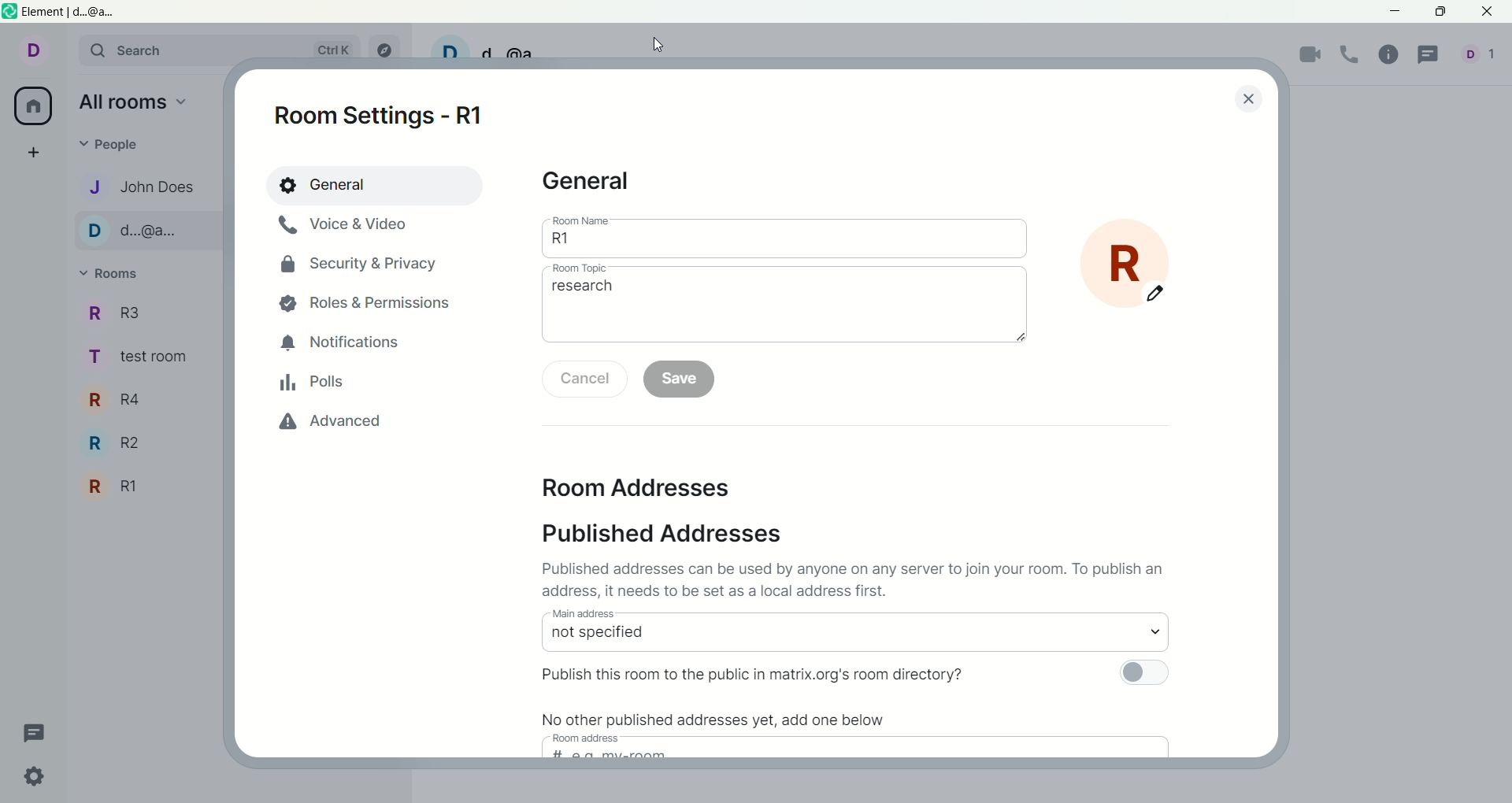  What do you see at coordinates (31, 54) in the screenshot?
I see `d` at bounding box center [31, 54].